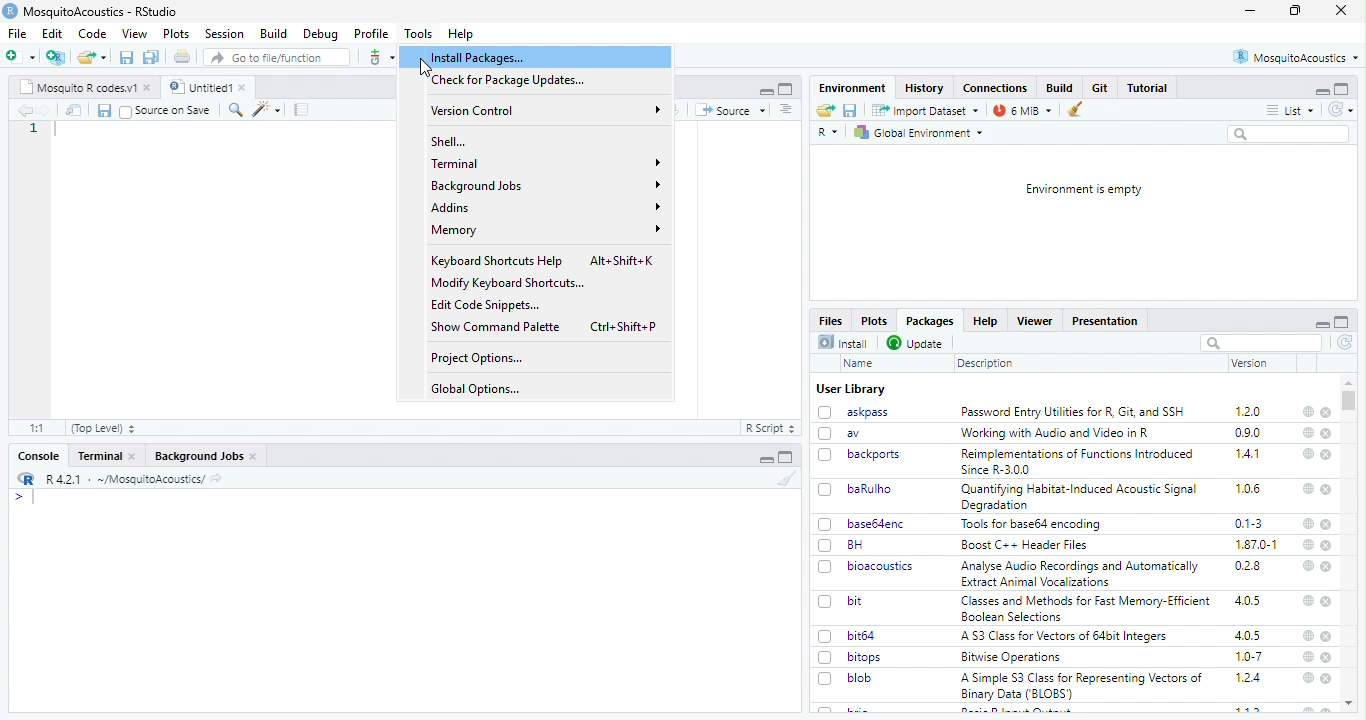 The height and width of the screenshot is (720, 1366). What do you see at coordinates (1066, 637) in the screenshot?
I see `A 'S3 Class for Vectors of 64bit Integers` at bounding box center [1066, 637].